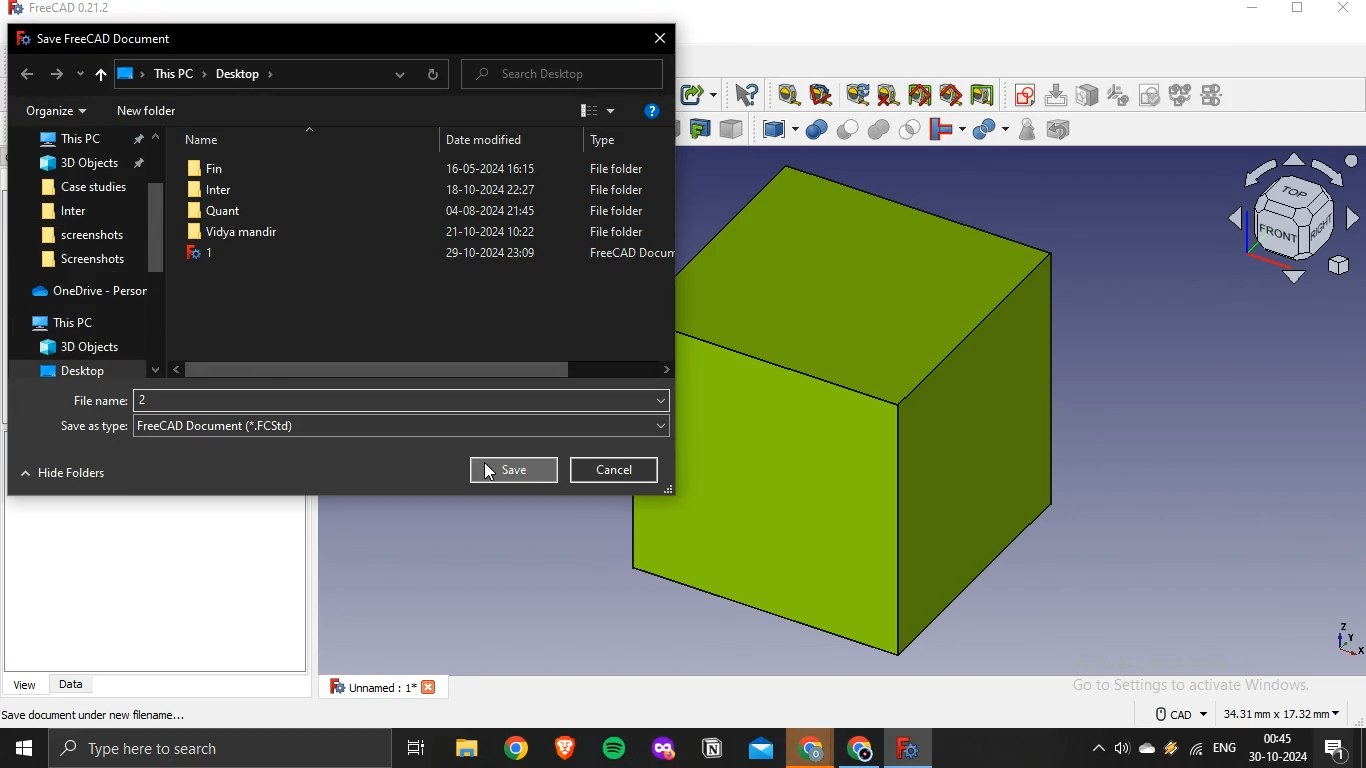 The image size is (1366, 768). What do you see at coordinates (1061, 130) in the screenshot?
I see `defeaturing` at bounding box center [1061, 130].